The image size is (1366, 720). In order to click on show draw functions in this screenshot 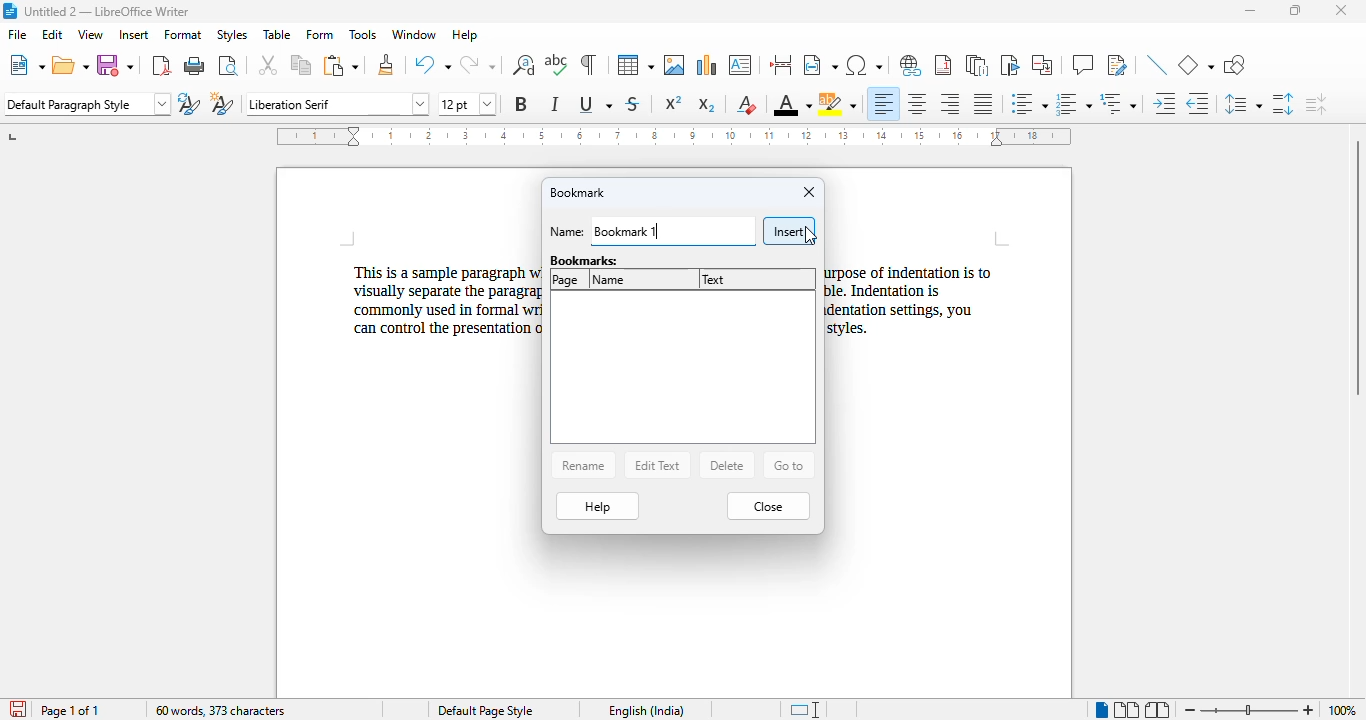, I will do `click(1236, 65)`.